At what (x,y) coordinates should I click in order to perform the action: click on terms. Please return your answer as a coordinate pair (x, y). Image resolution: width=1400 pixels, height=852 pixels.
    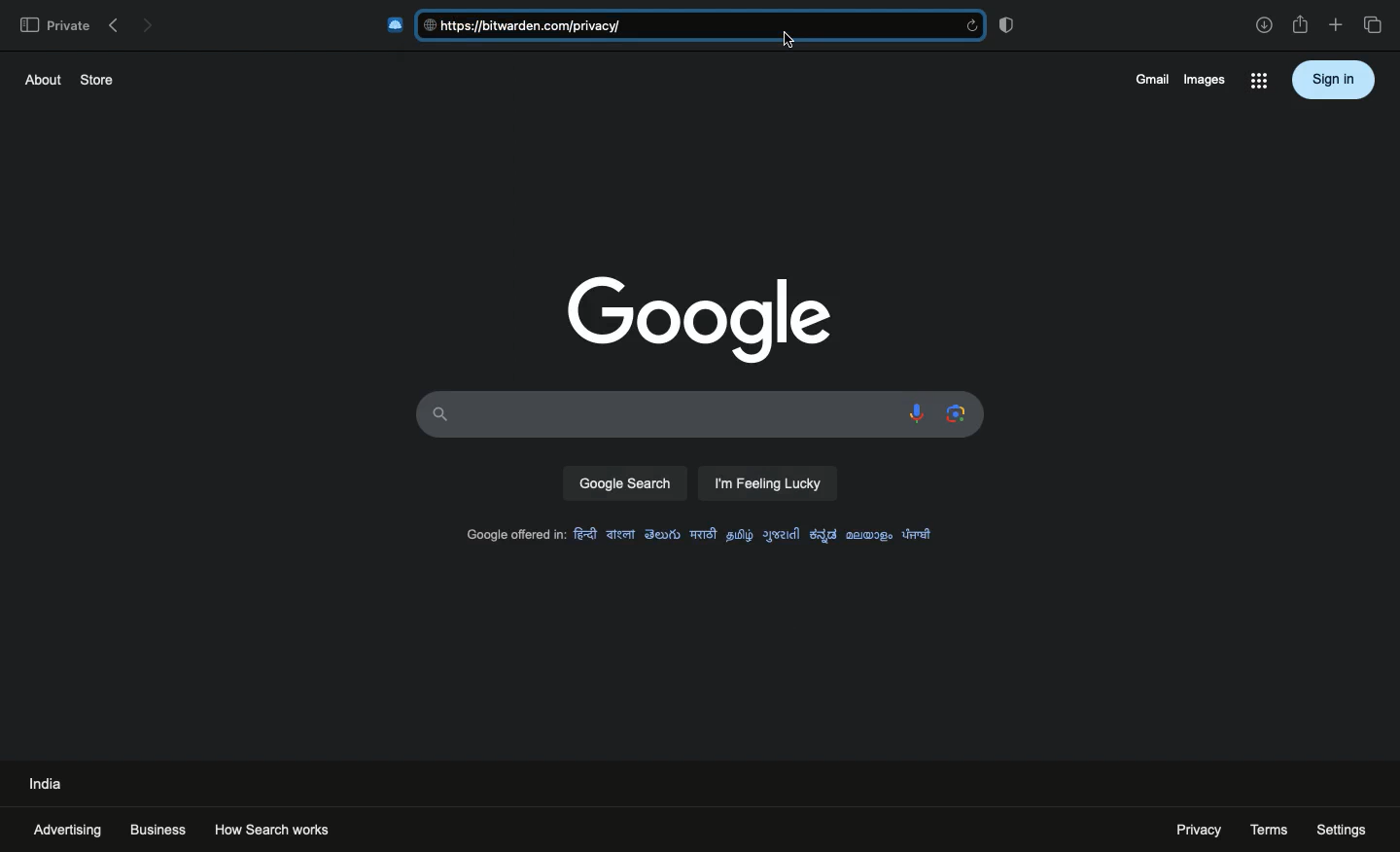
    Looking at the image, I should click on (1270, 828).